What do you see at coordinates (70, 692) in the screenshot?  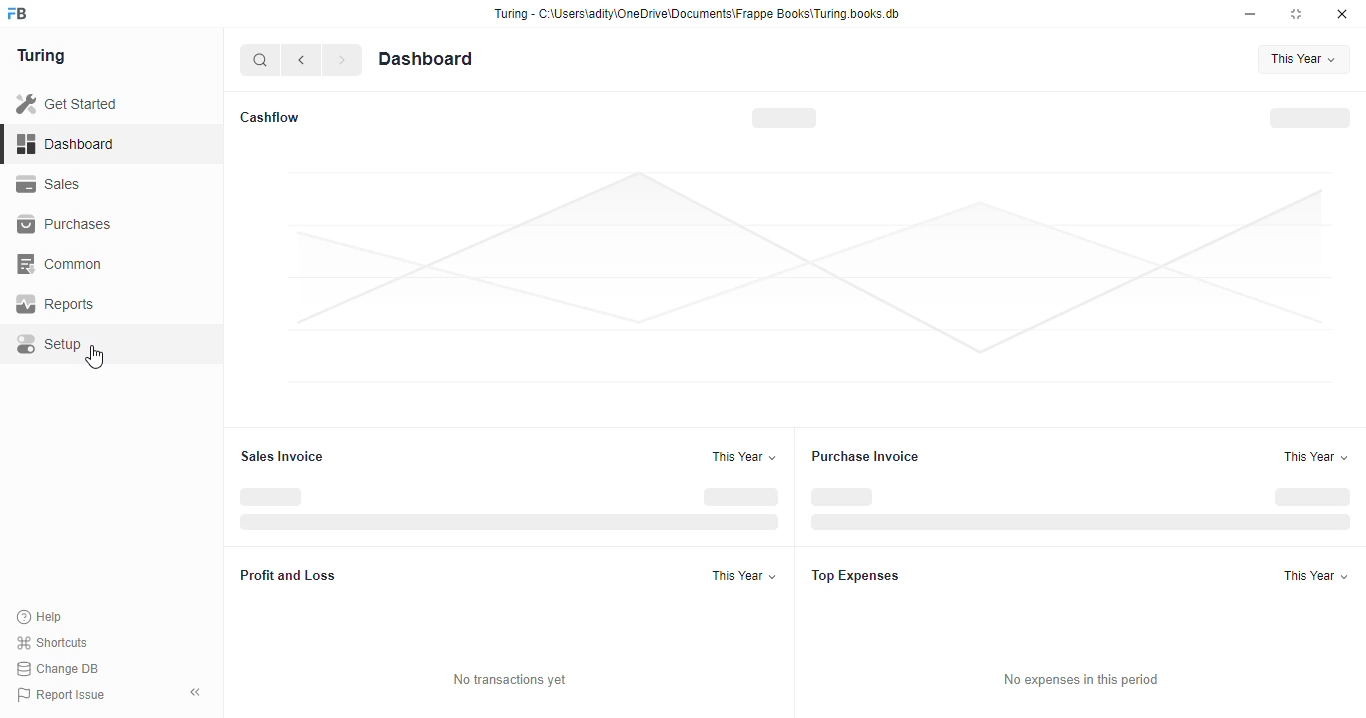 I see `Report Issue` at bounding box center [70, 692].